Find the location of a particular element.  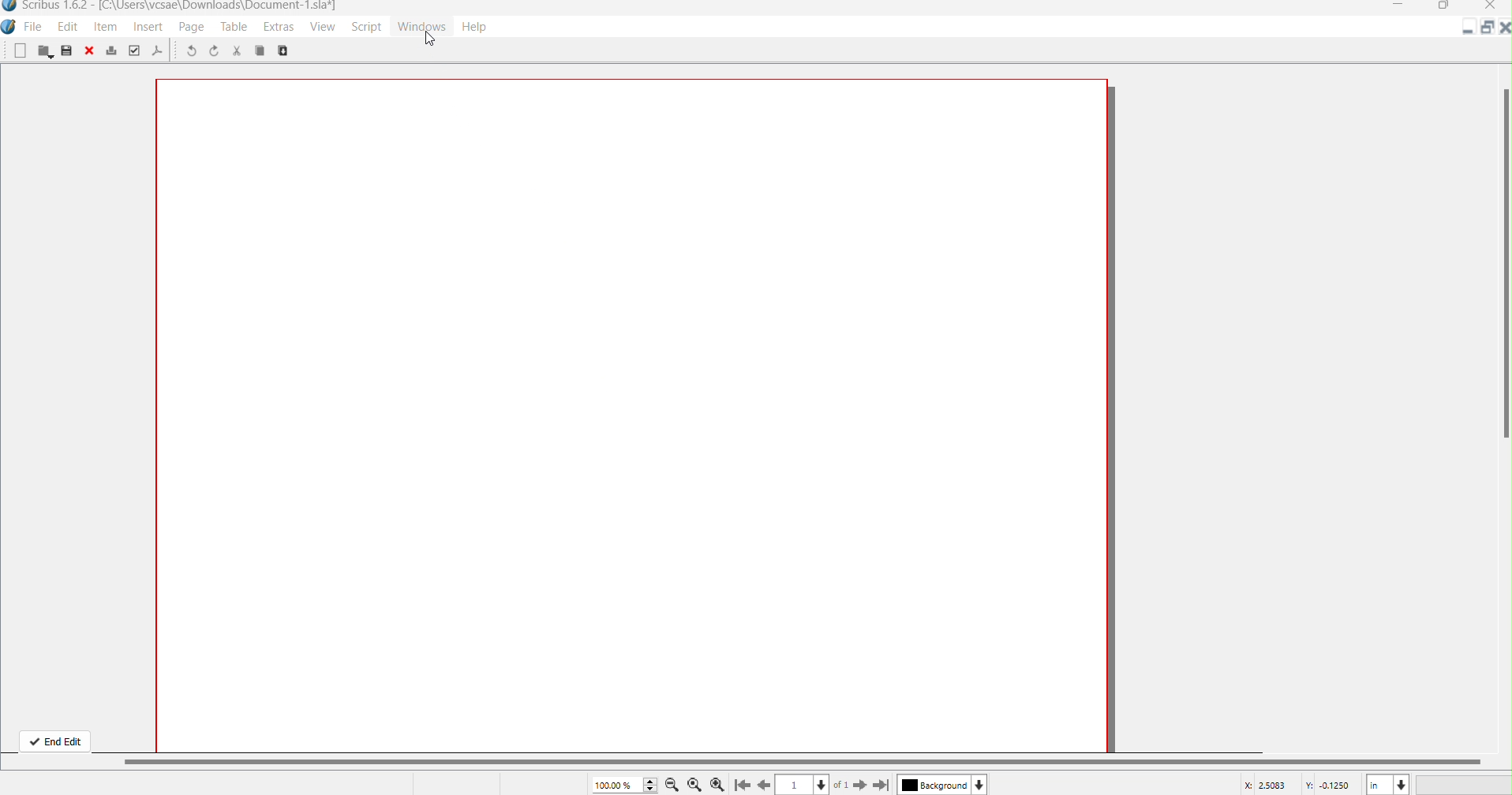

 is located at coordinates (152, 28).